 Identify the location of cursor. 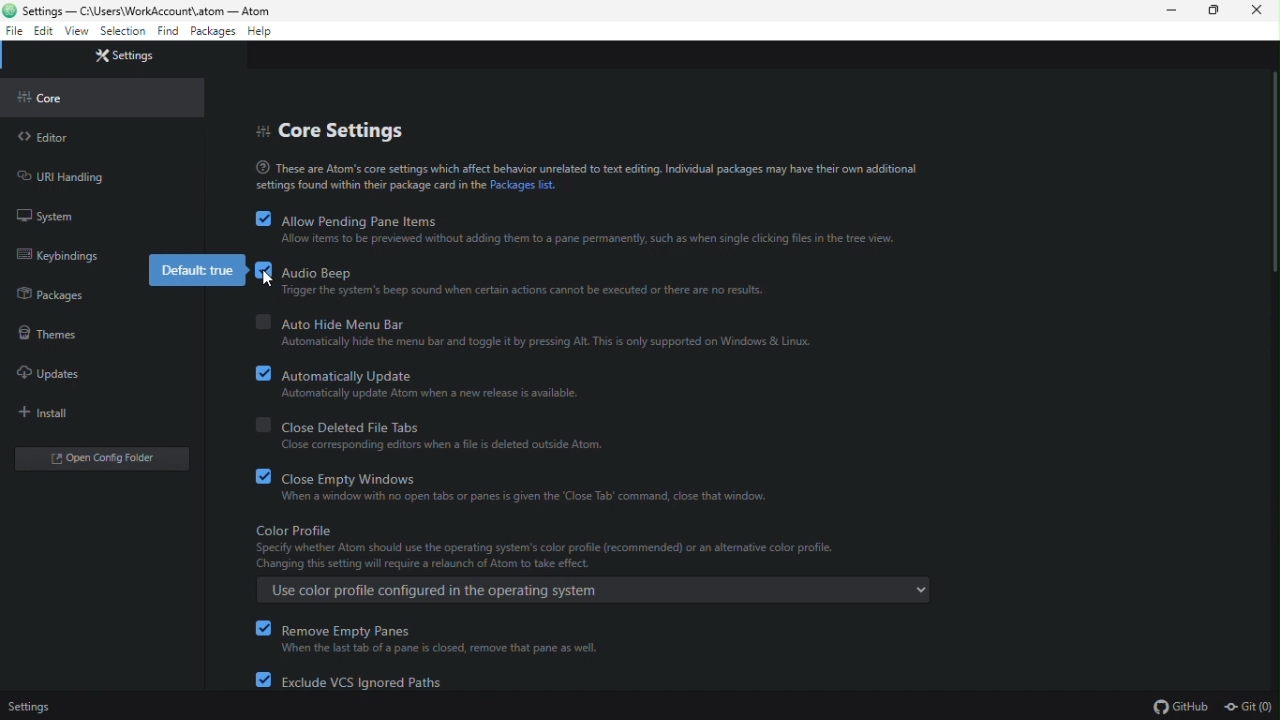
(266, 279).